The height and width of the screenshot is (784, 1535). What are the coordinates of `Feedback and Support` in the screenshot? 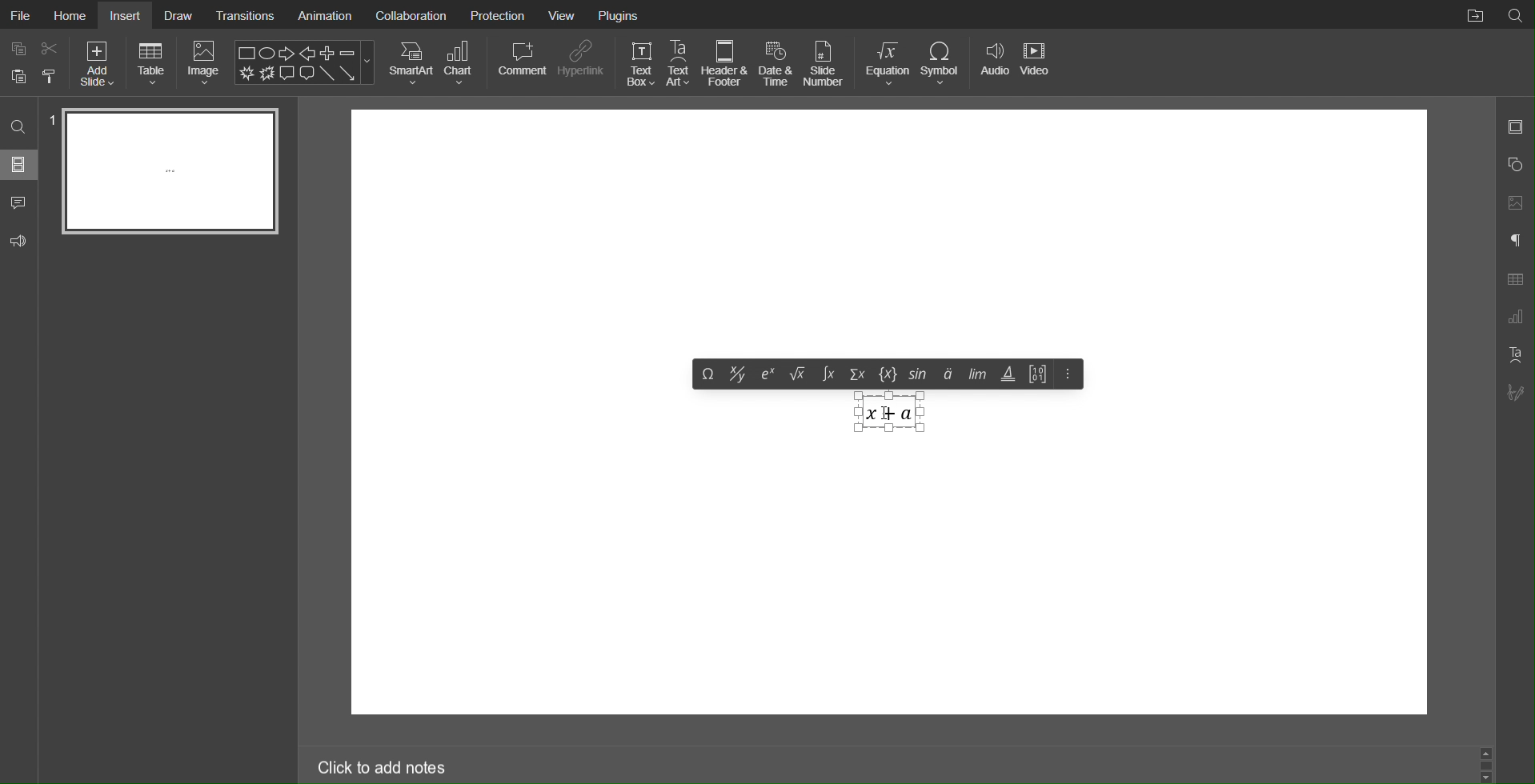 It's located at (21, 242).